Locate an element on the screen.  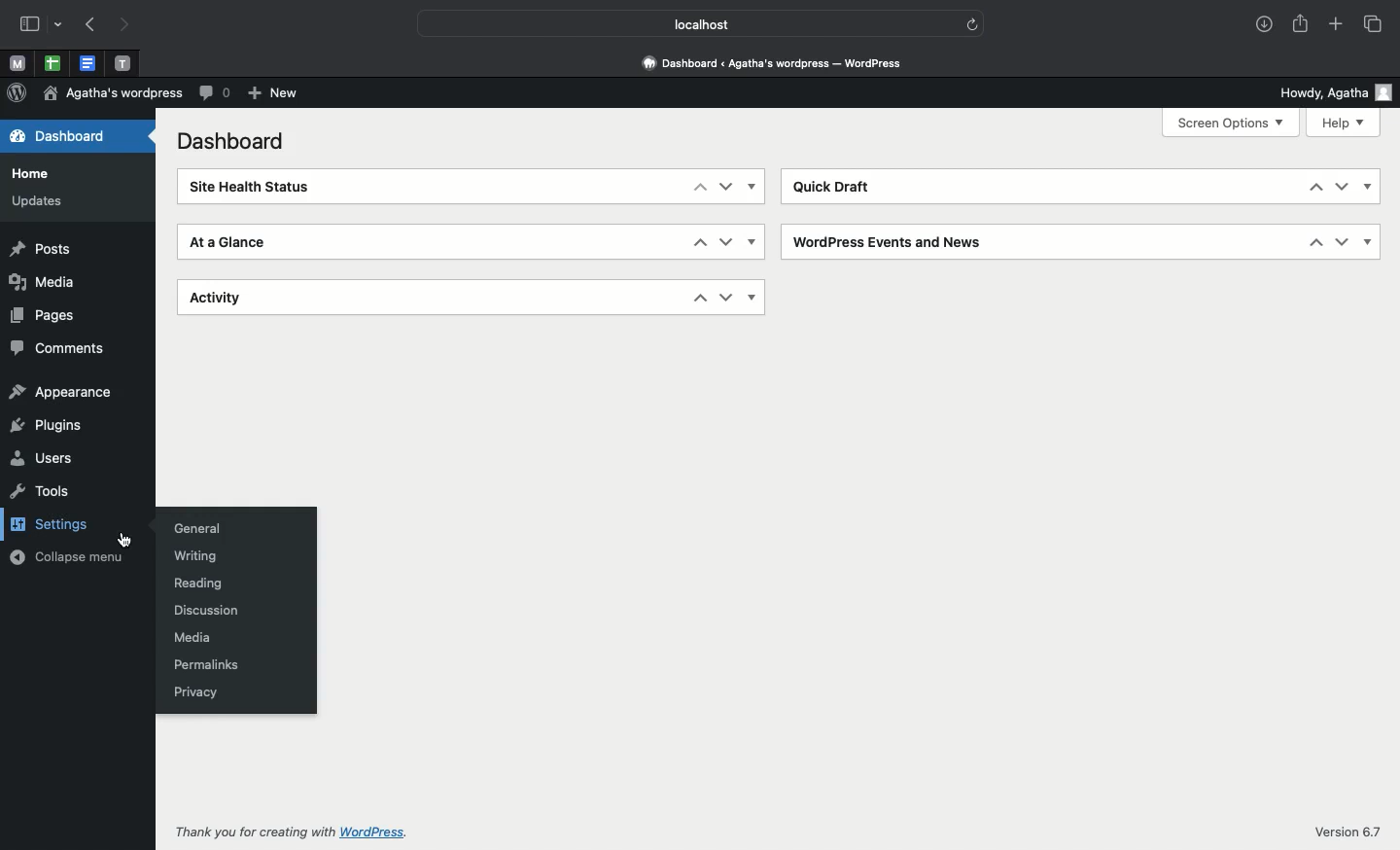
cursor is located at coordinates (122, 538).